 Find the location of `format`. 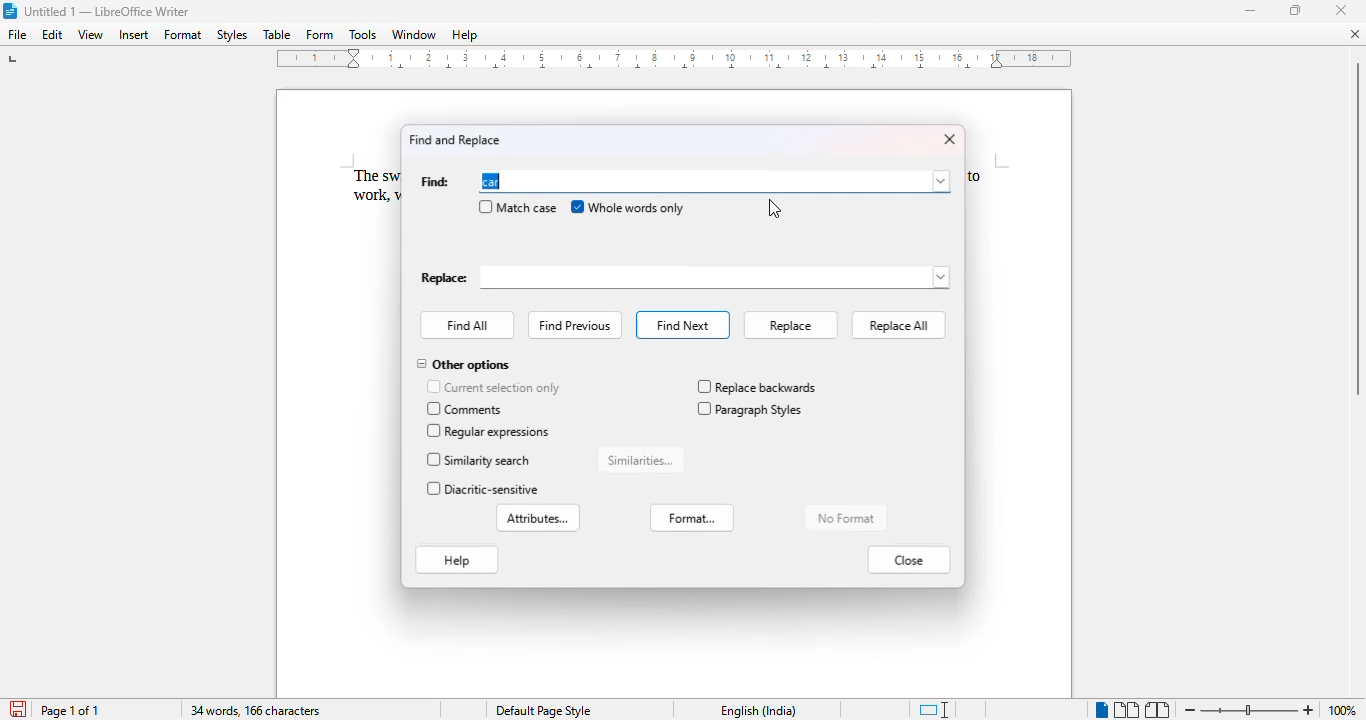

format is located at coordinates (692, 517).